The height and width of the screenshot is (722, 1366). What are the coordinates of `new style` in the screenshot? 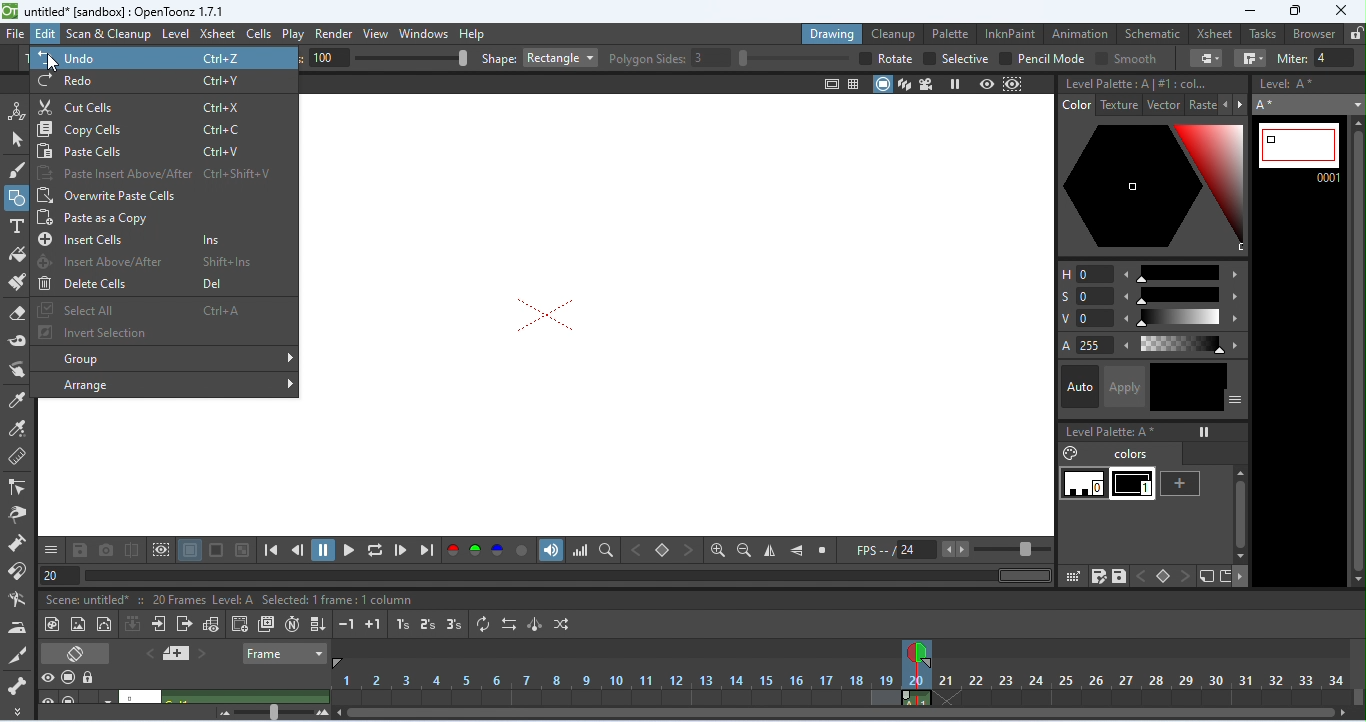 It's located at (1182, 484).